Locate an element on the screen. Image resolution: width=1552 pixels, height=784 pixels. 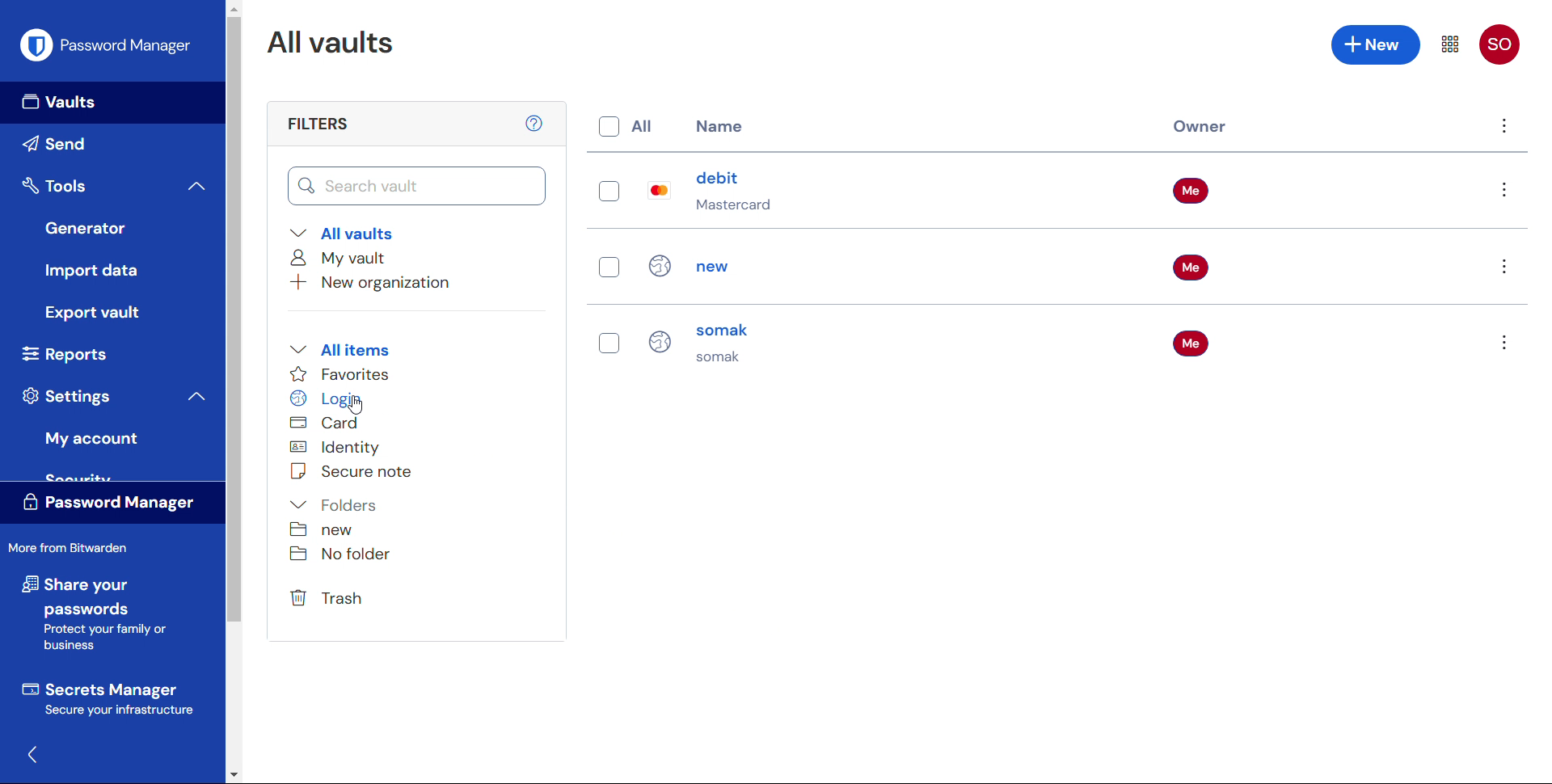
New  is located at coordinates (320, 529).